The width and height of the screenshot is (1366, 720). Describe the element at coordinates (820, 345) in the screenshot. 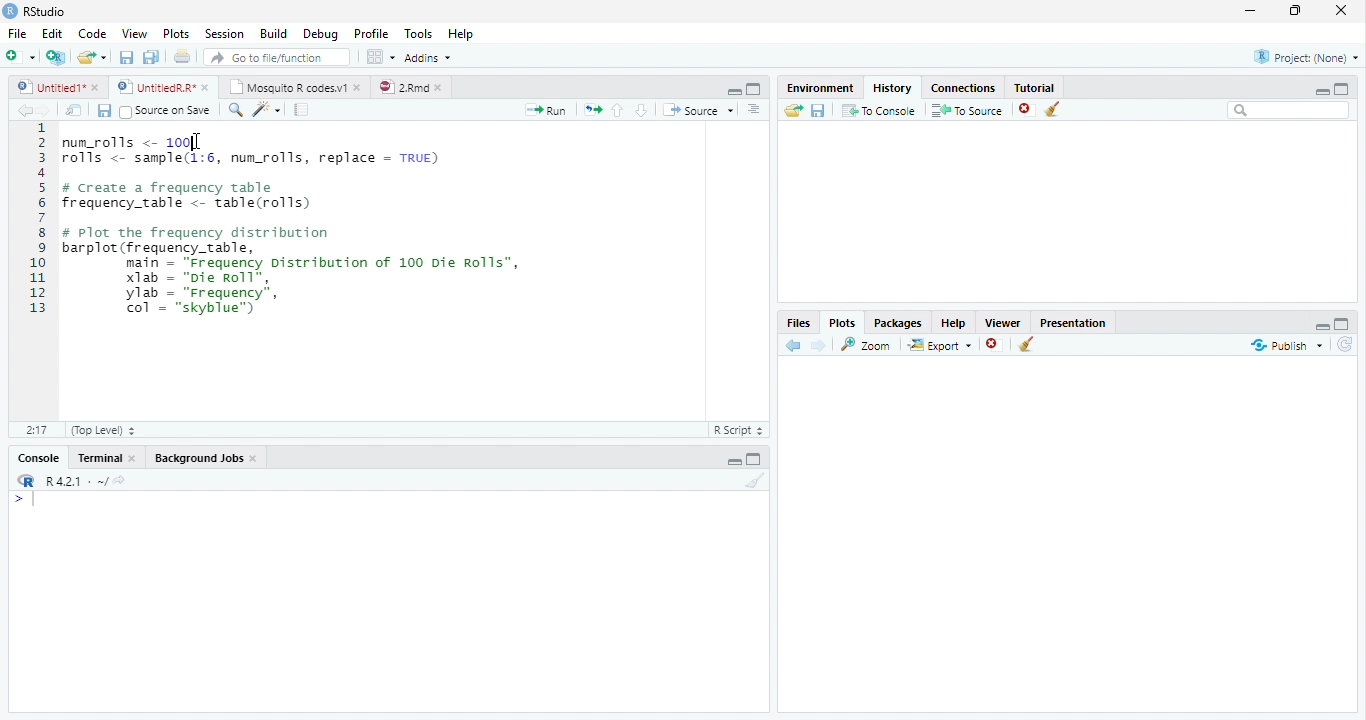

I see `Next Plot` at that location.